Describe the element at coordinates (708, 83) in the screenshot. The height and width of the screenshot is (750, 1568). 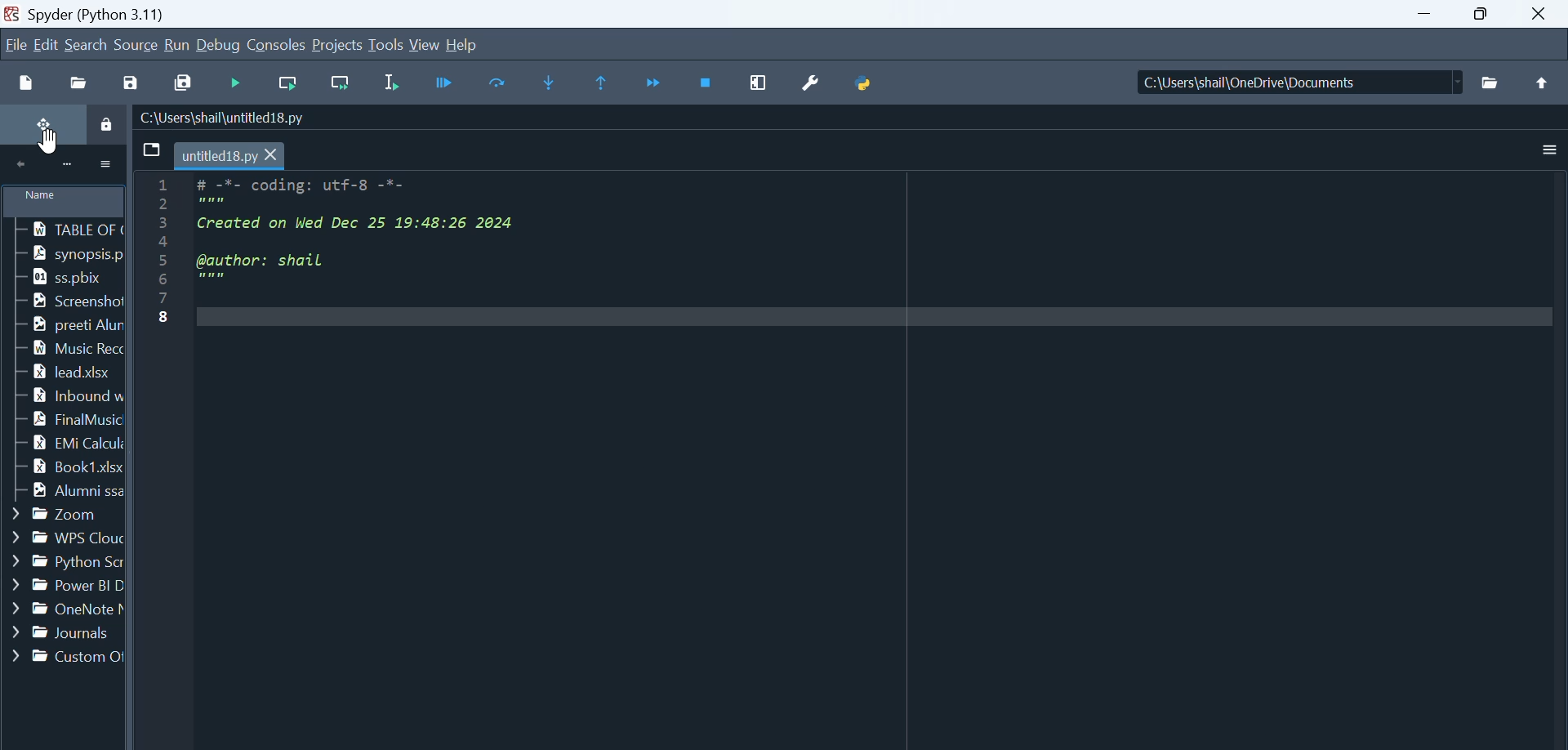
I see `Stop debugging` at that location.